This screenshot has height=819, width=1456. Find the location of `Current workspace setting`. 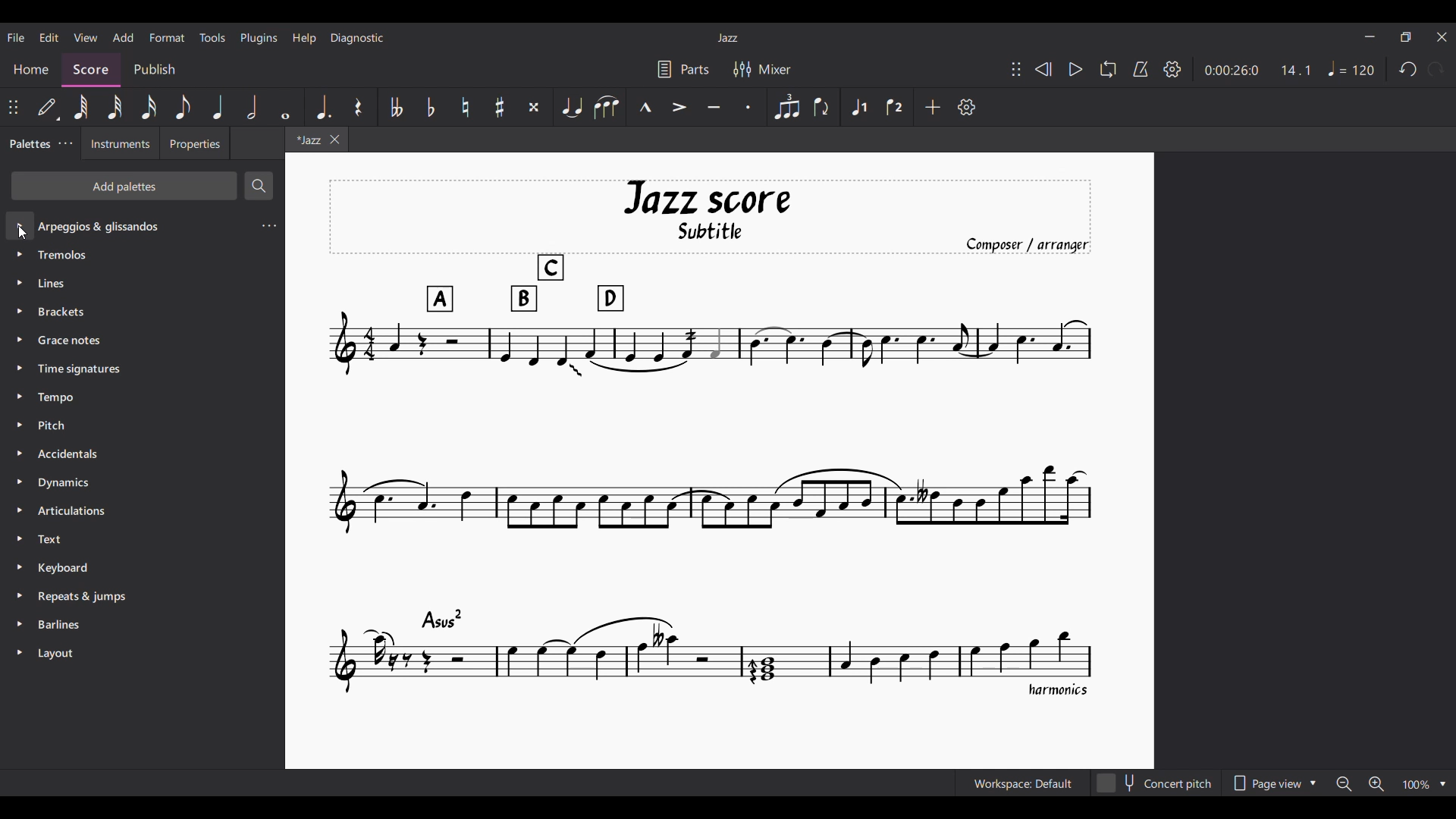

Current workspace setting is located at coordinates (1024, 783).